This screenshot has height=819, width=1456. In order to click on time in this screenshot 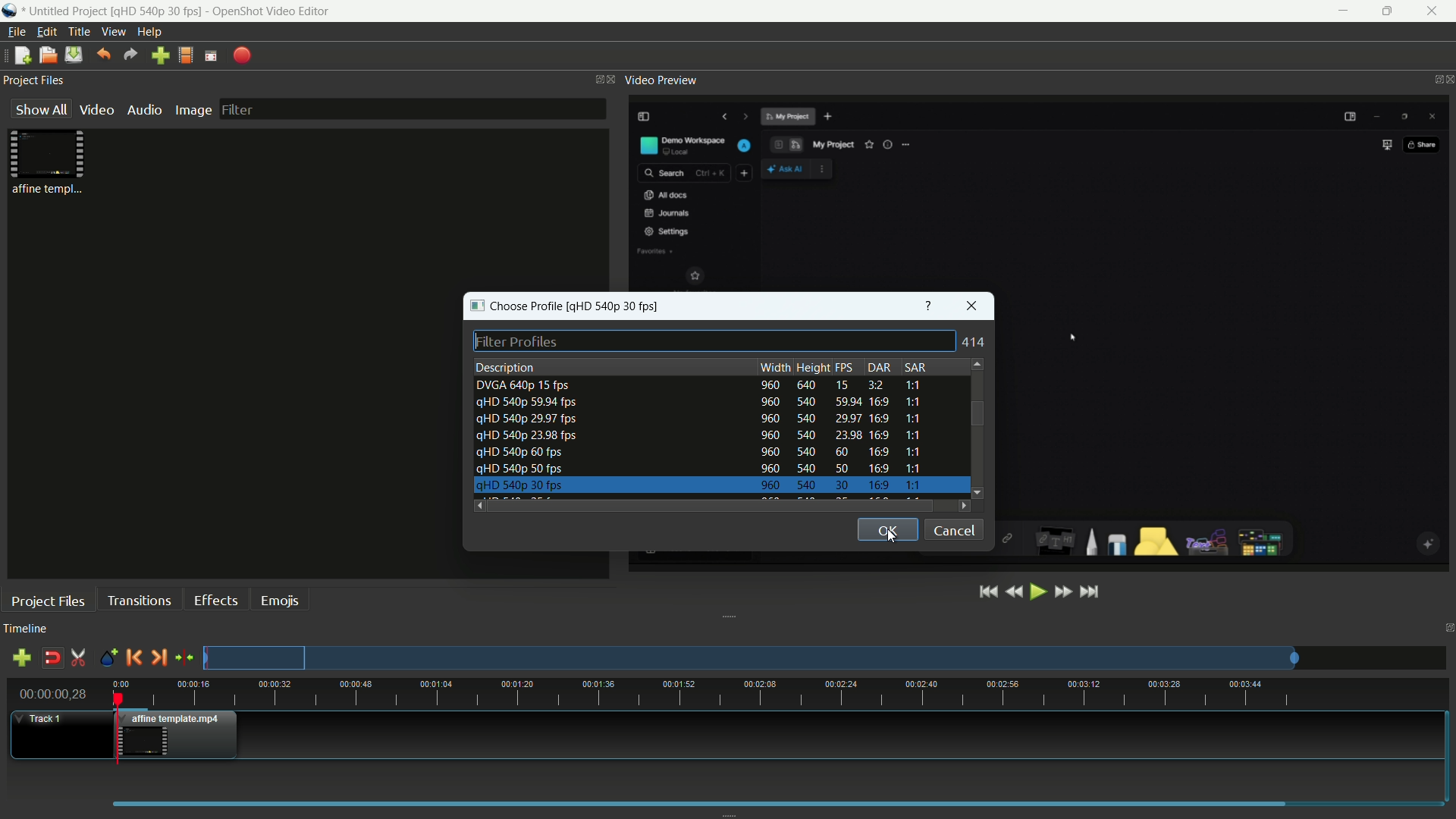, I will do `click(784, 693)`.